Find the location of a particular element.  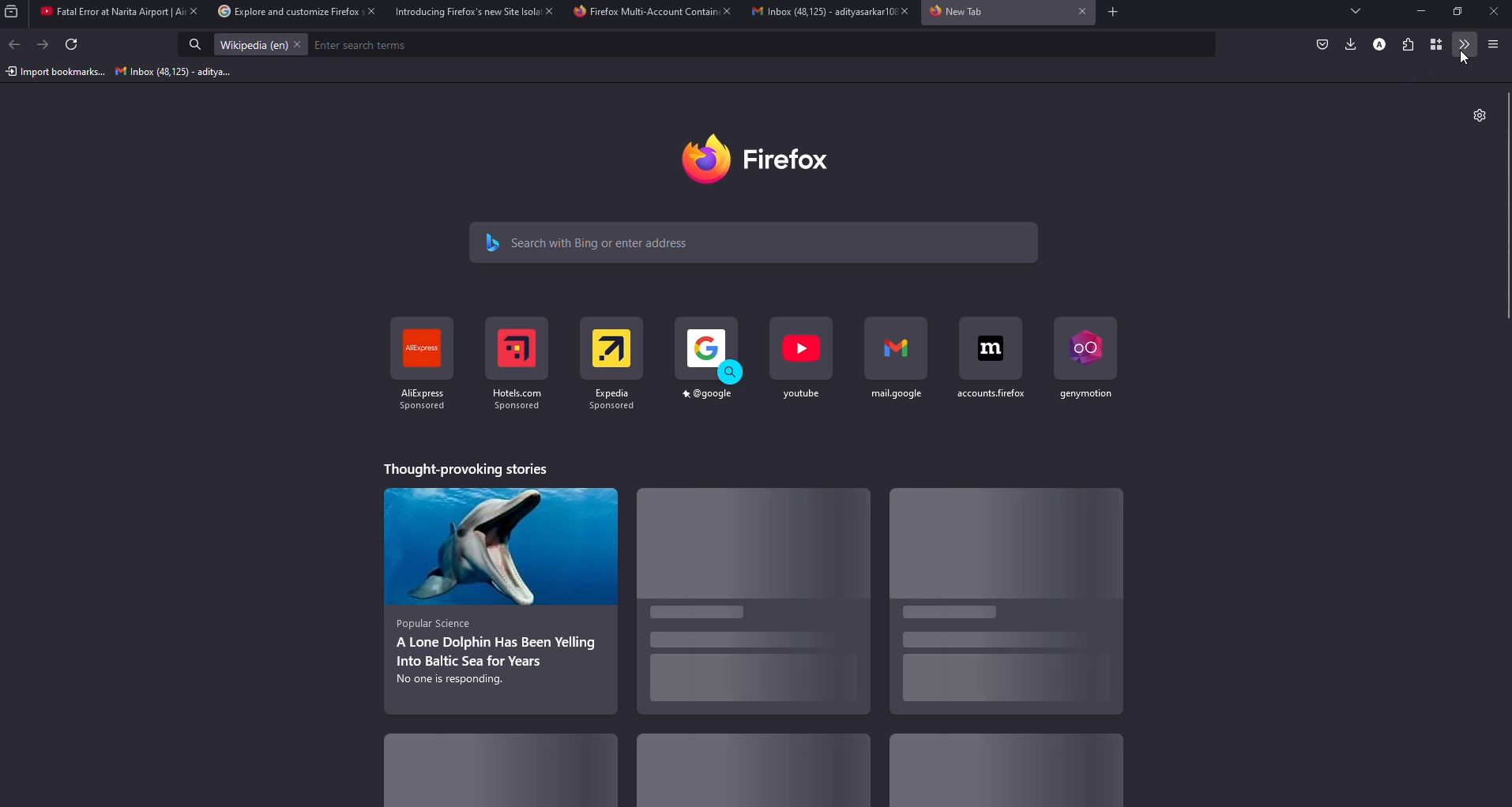

back is located at coordinates (17, 44).